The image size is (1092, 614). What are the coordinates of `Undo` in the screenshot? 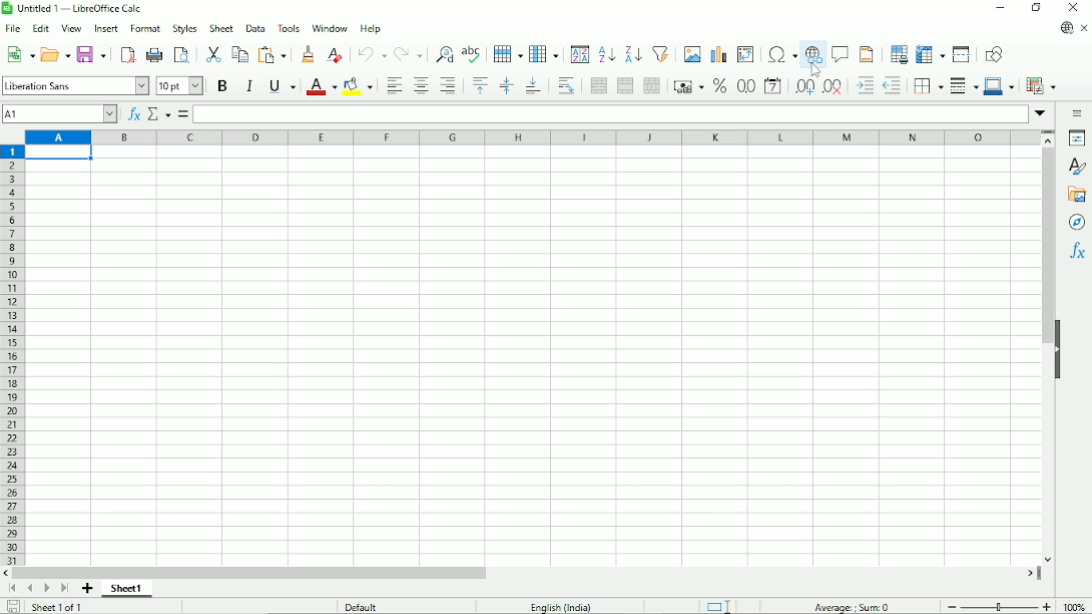 It's located at (371, 54).